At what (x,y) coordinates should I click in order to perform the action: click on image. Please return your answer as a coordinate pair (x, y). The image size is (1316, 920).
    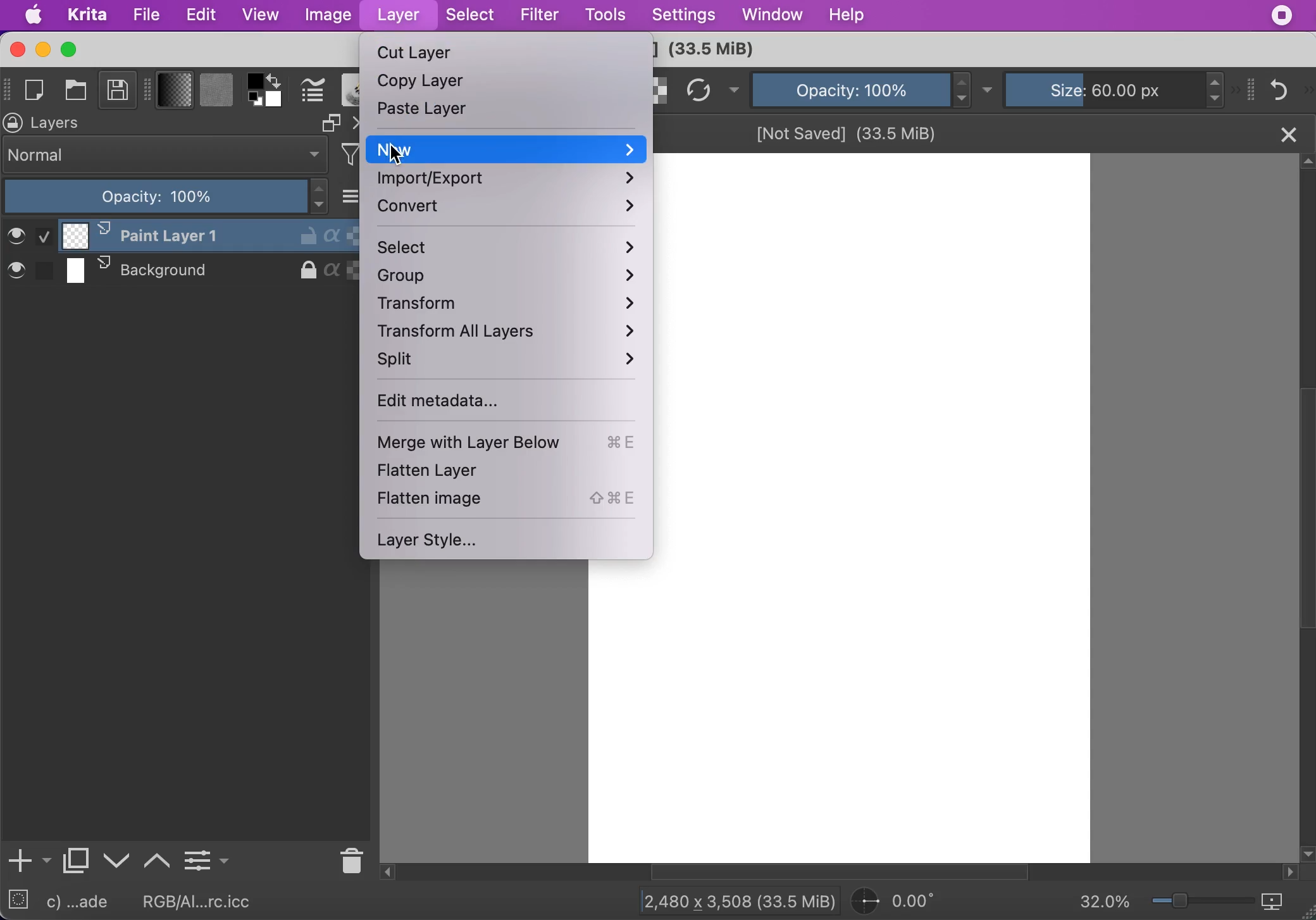
    Looking at the image, I should click on (327, 16).